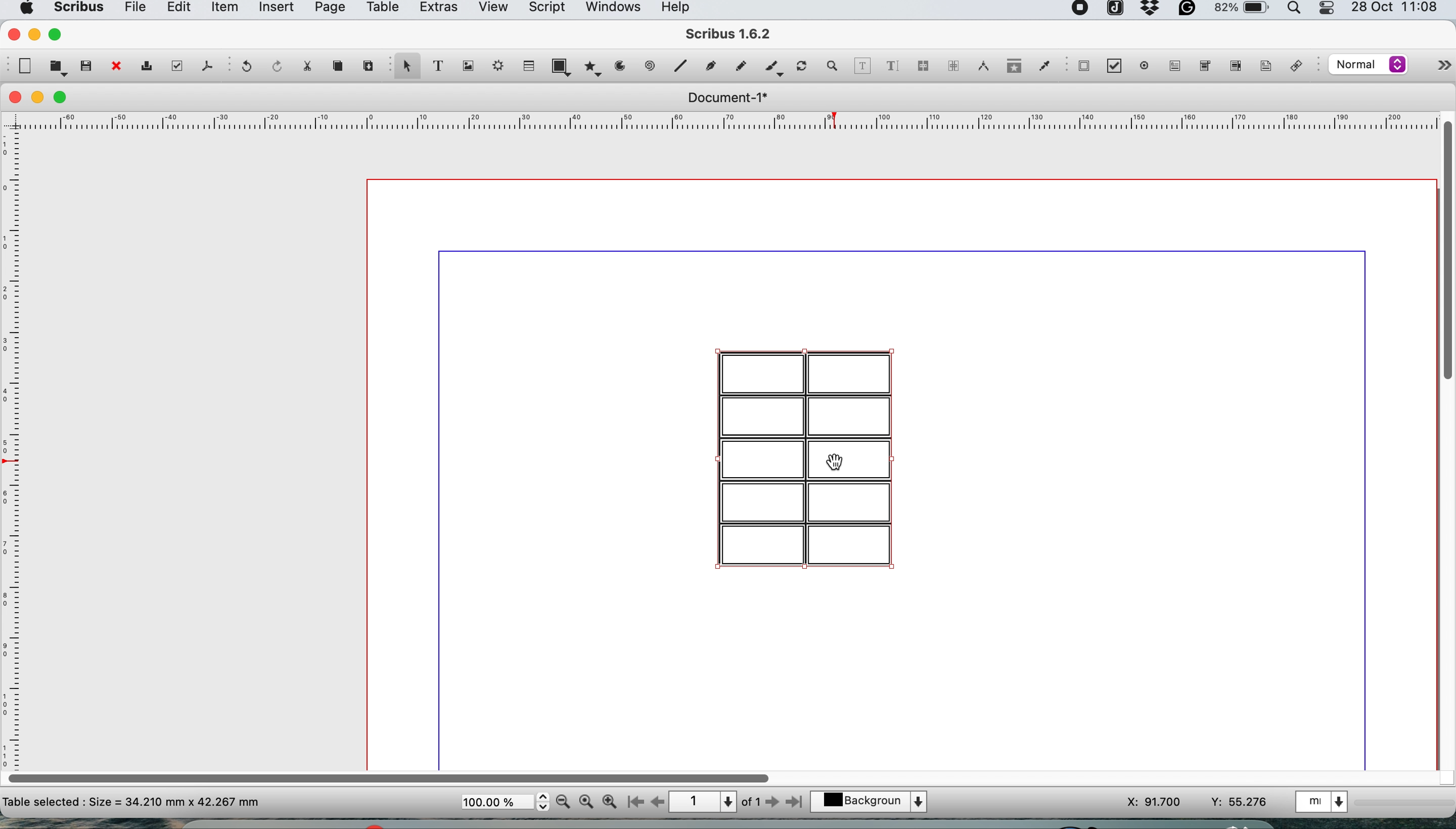 The width and height of the screenshot is (1456, 829). I want to click on control center, so click(1328, 9).